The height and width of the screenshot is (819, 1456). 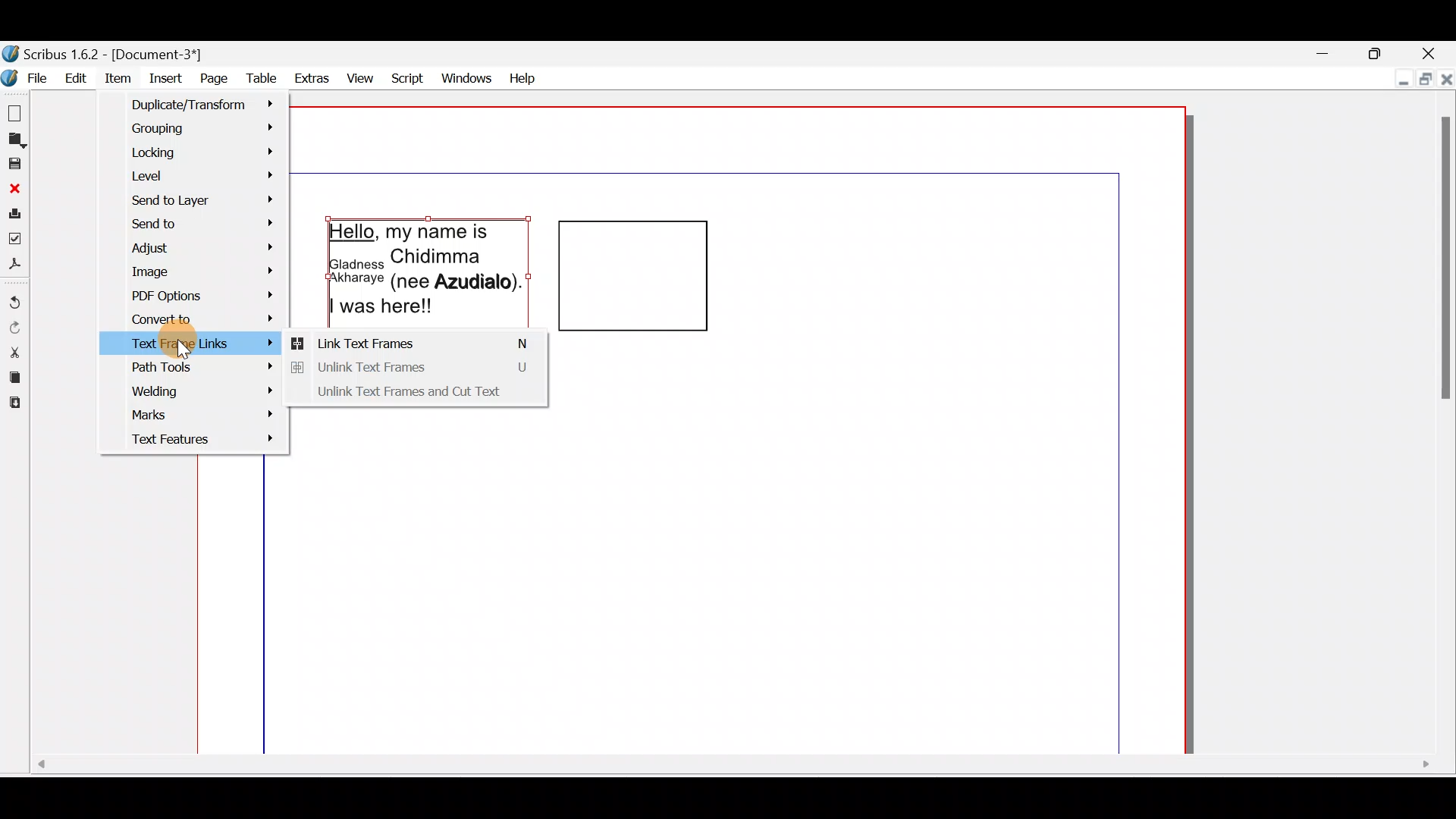 What do you see at coordinates (115, 54) in the screenshot?
I see `Document name` at bounding box center [115, 54].